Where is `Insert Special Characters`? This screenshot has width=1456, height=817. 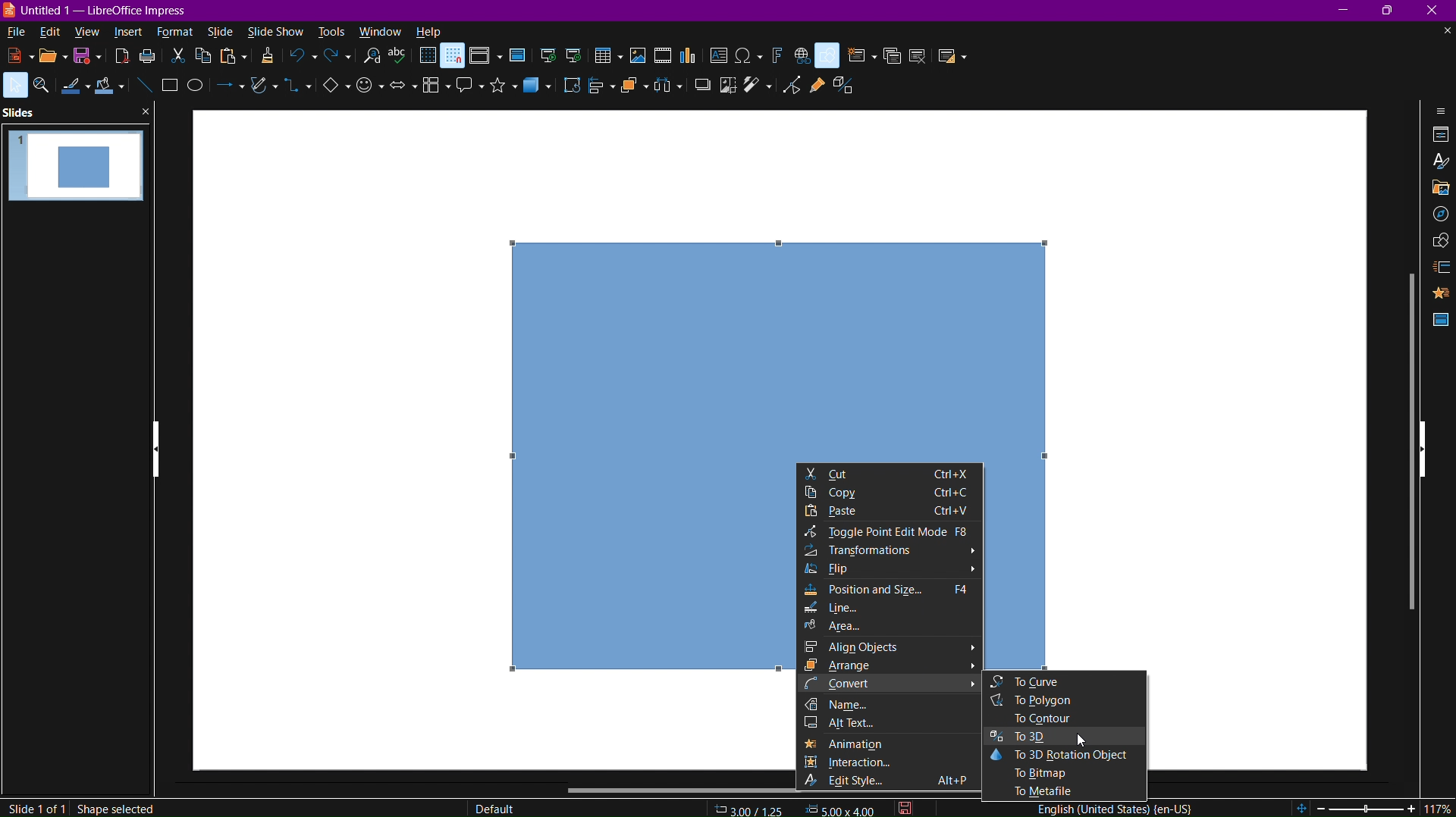 Insert Special Characters is located at coordinates (749, 55).